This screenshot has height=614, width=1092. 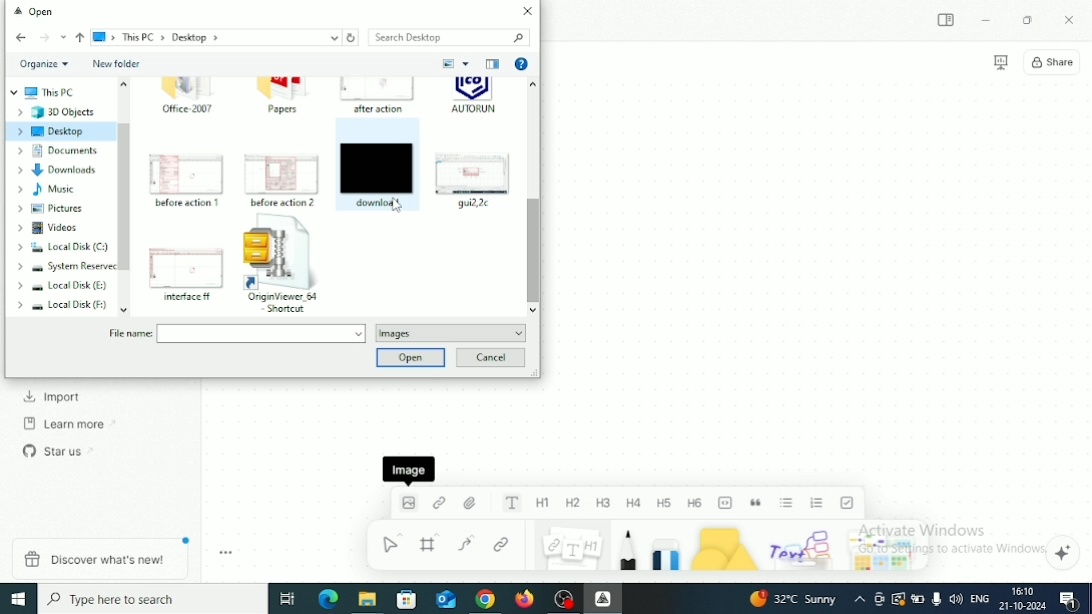 What do you see at coordinates (63, 38) in the screenshot?
I see `Recent locations` at bounding box center [63, 38].